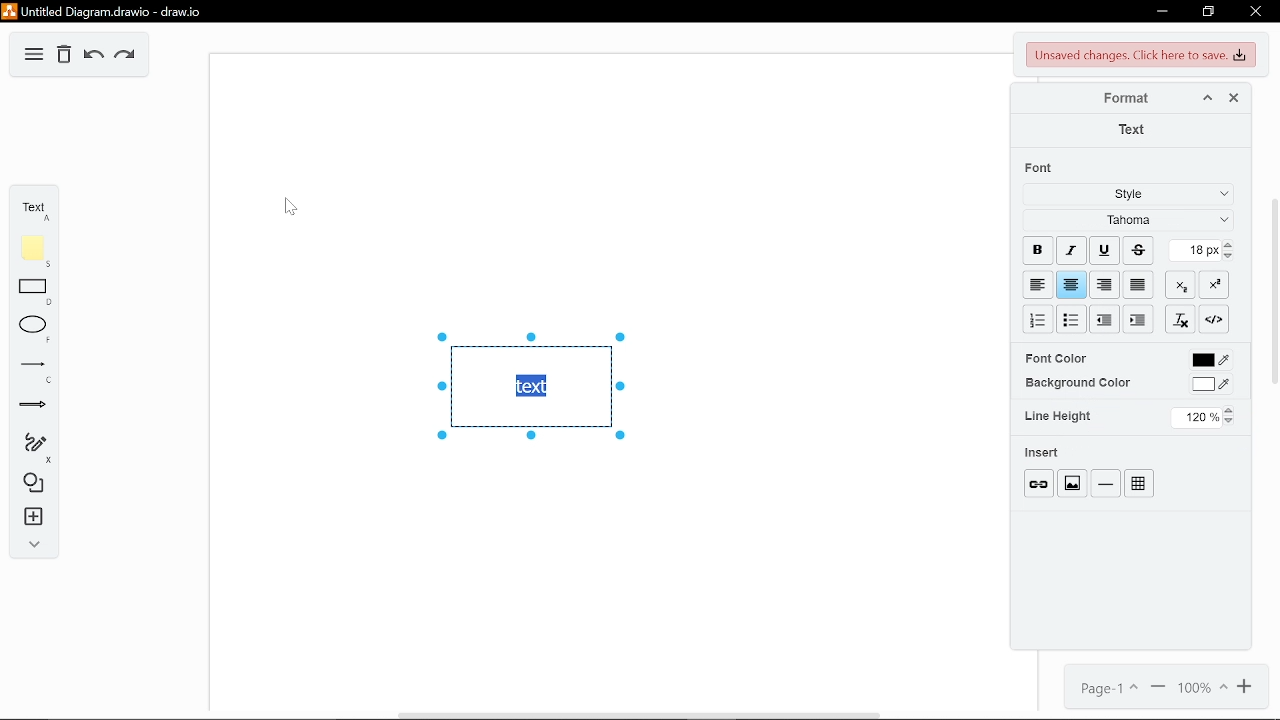 This screenshot has width=1280, height=720. Describe the element at coordinates (1036, 284) in the screenshot. I see `align left` at that location.